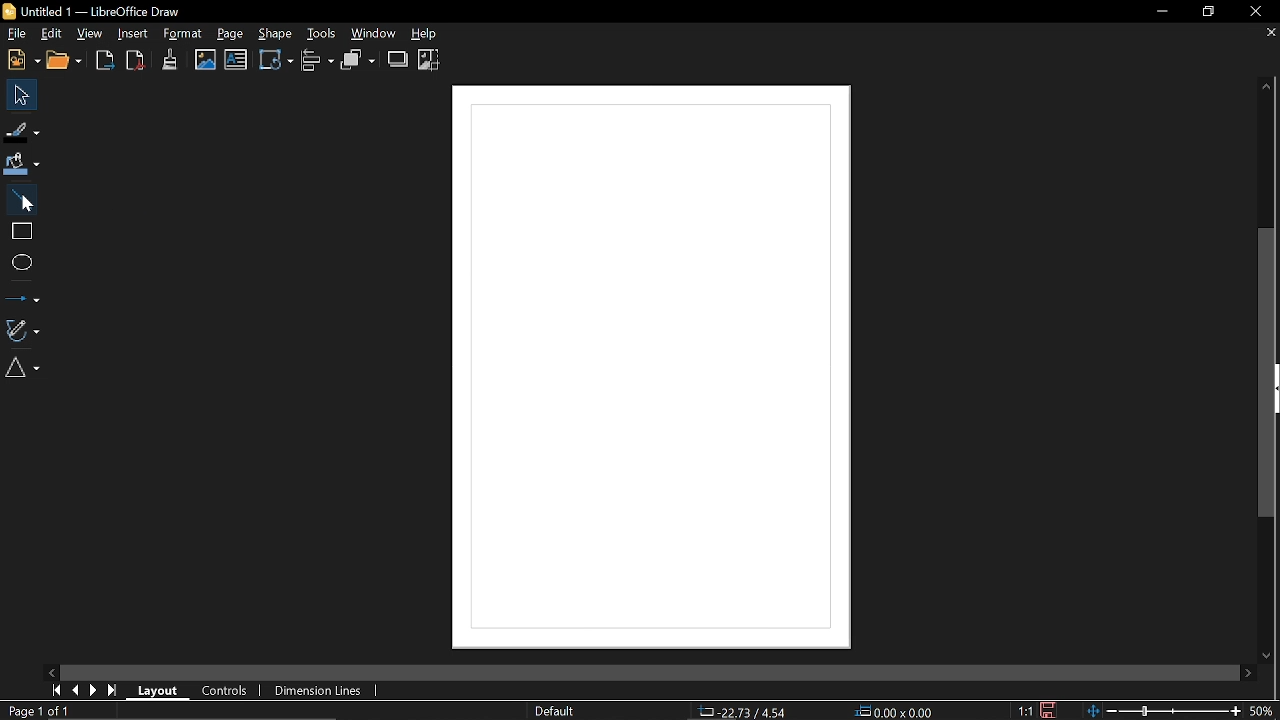 This screenshot has height=720, width=1280. I want to click on Scaling factor, so click(1024, 711).